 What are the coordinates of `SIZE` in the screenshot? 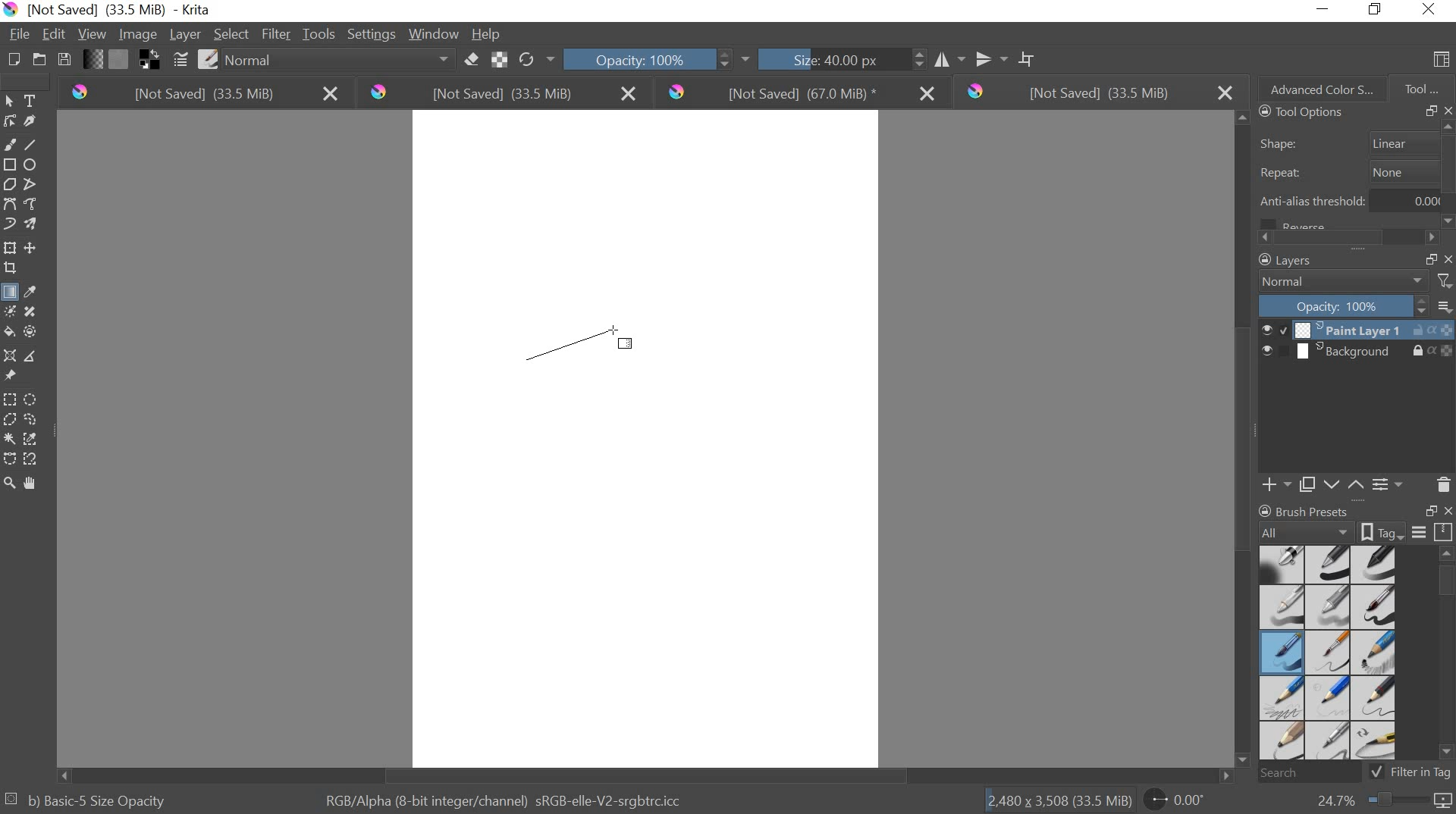 It's located at (819, 61).